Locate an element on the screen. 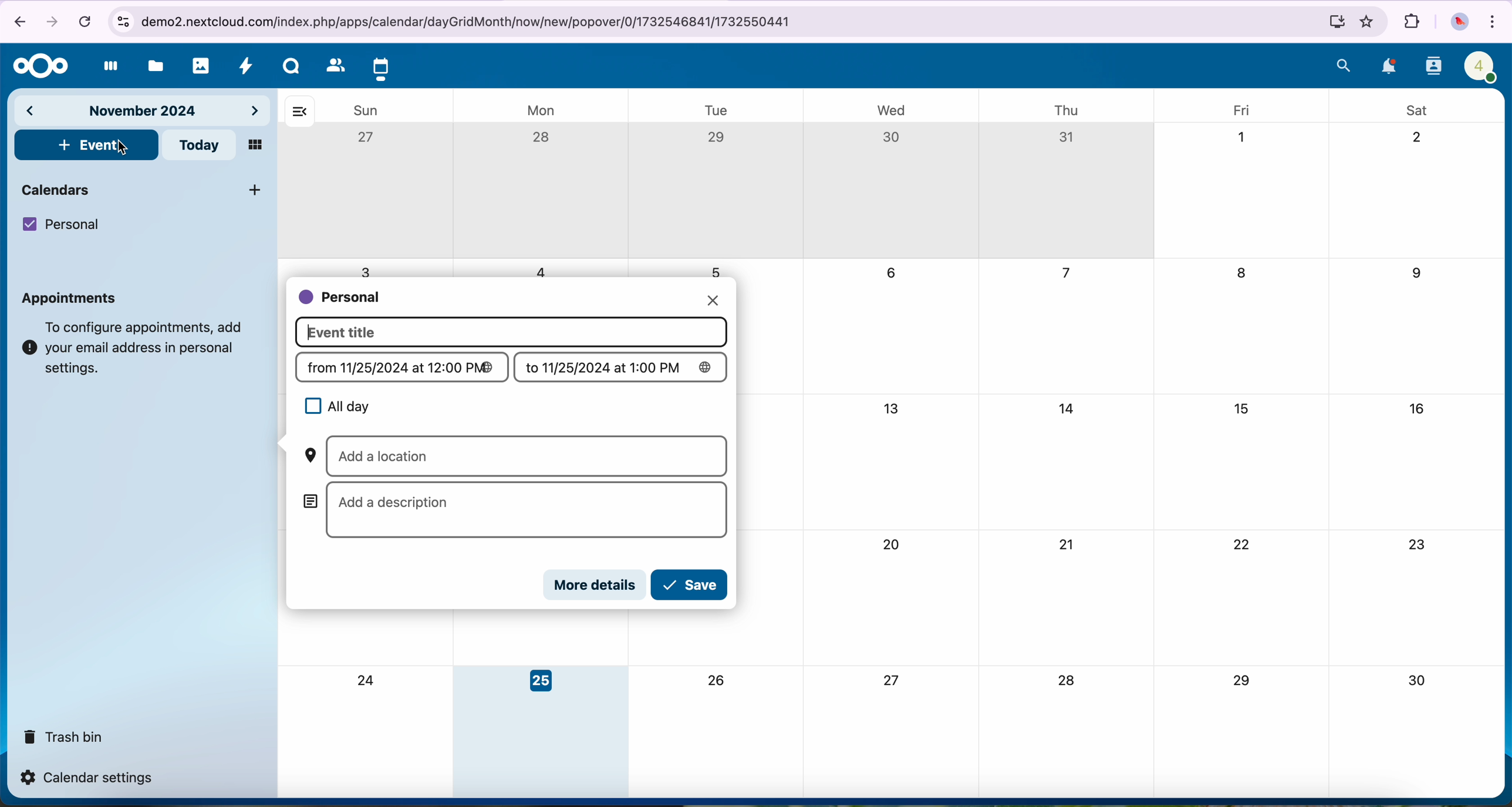  search is located at coordinates (1345, 65).